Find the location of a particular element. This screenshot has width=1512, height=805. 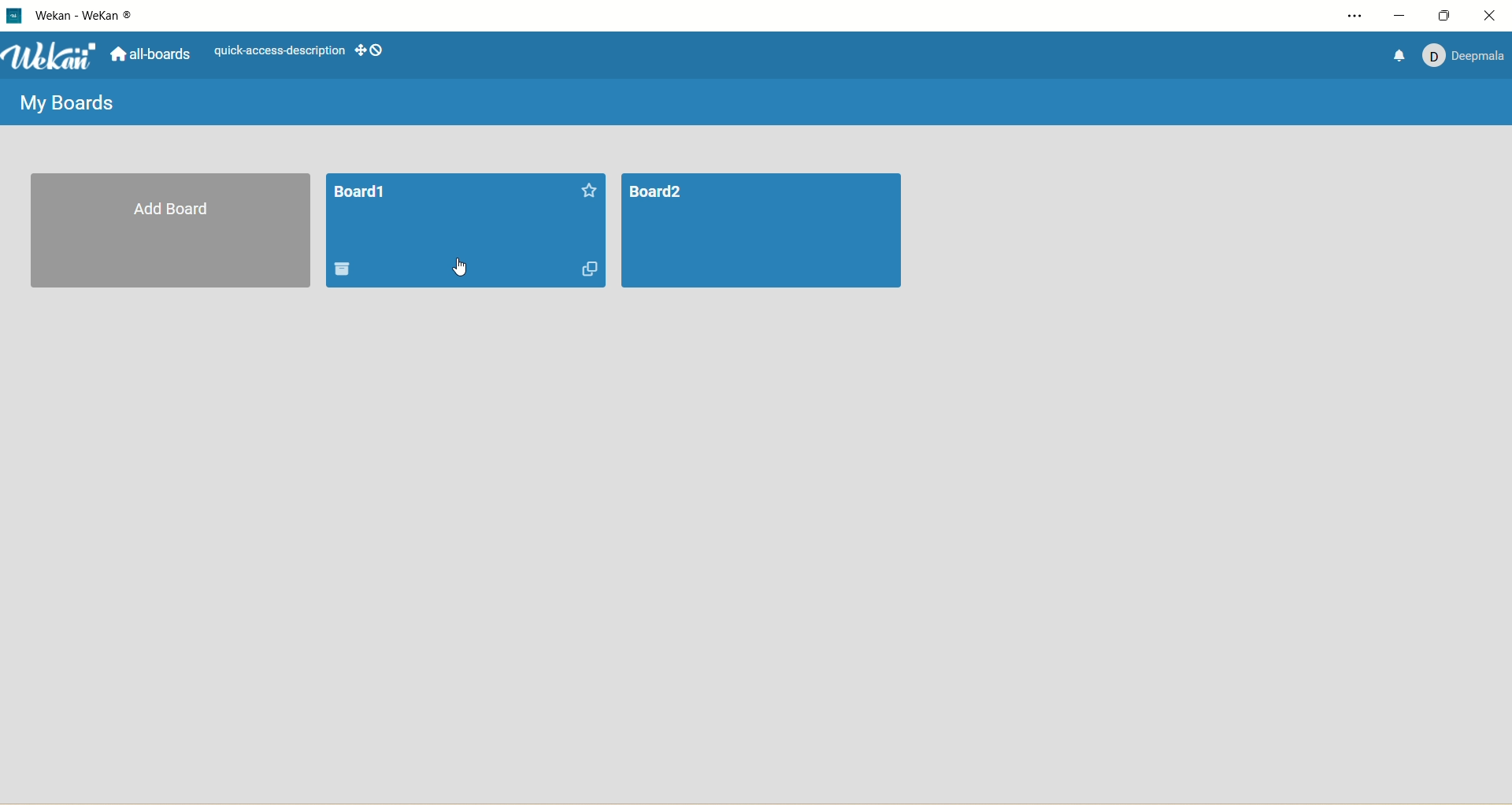

title is located at coordinates (87, 17).